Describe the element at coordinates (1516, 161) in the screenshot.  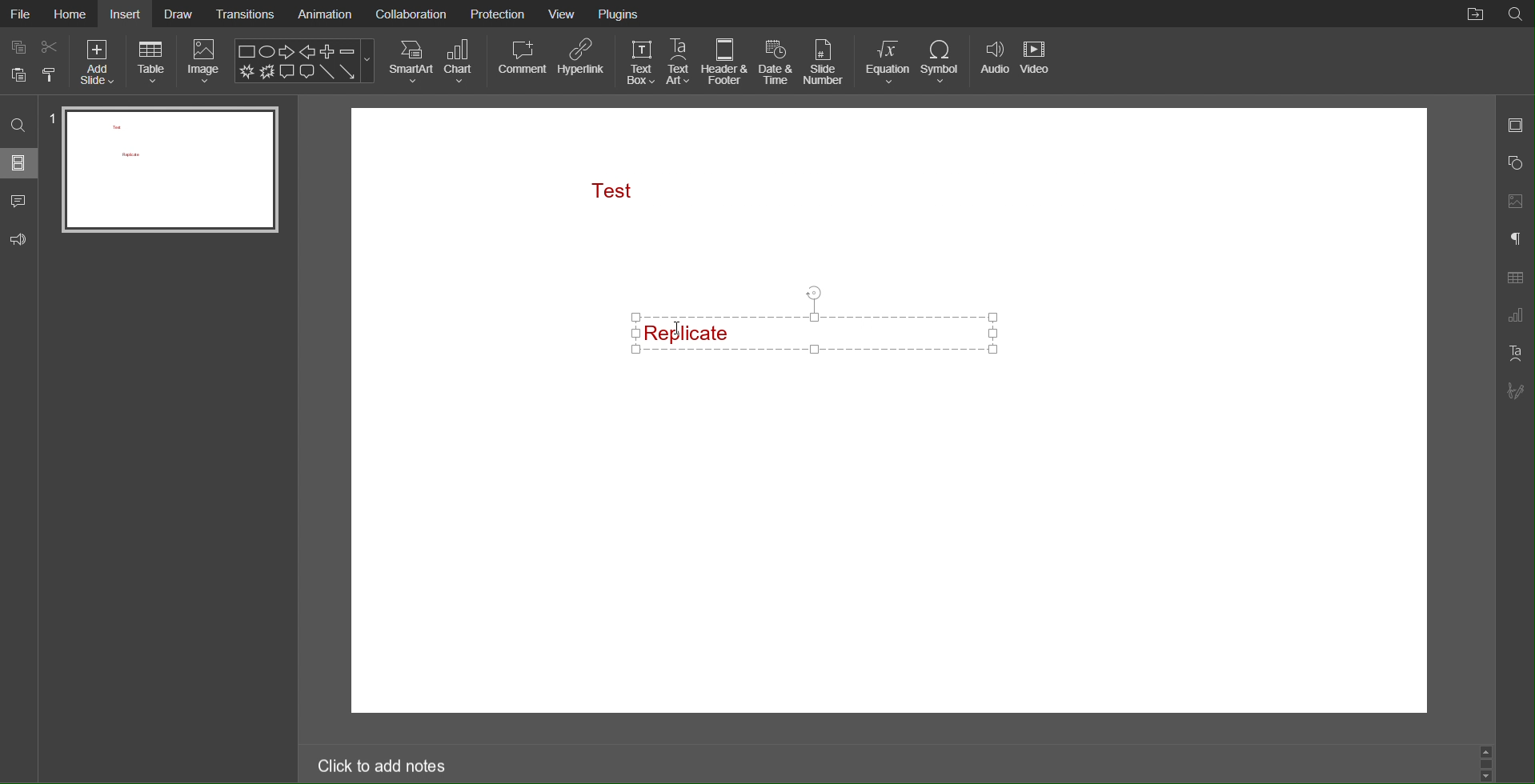
I see `Shapes` at that location.